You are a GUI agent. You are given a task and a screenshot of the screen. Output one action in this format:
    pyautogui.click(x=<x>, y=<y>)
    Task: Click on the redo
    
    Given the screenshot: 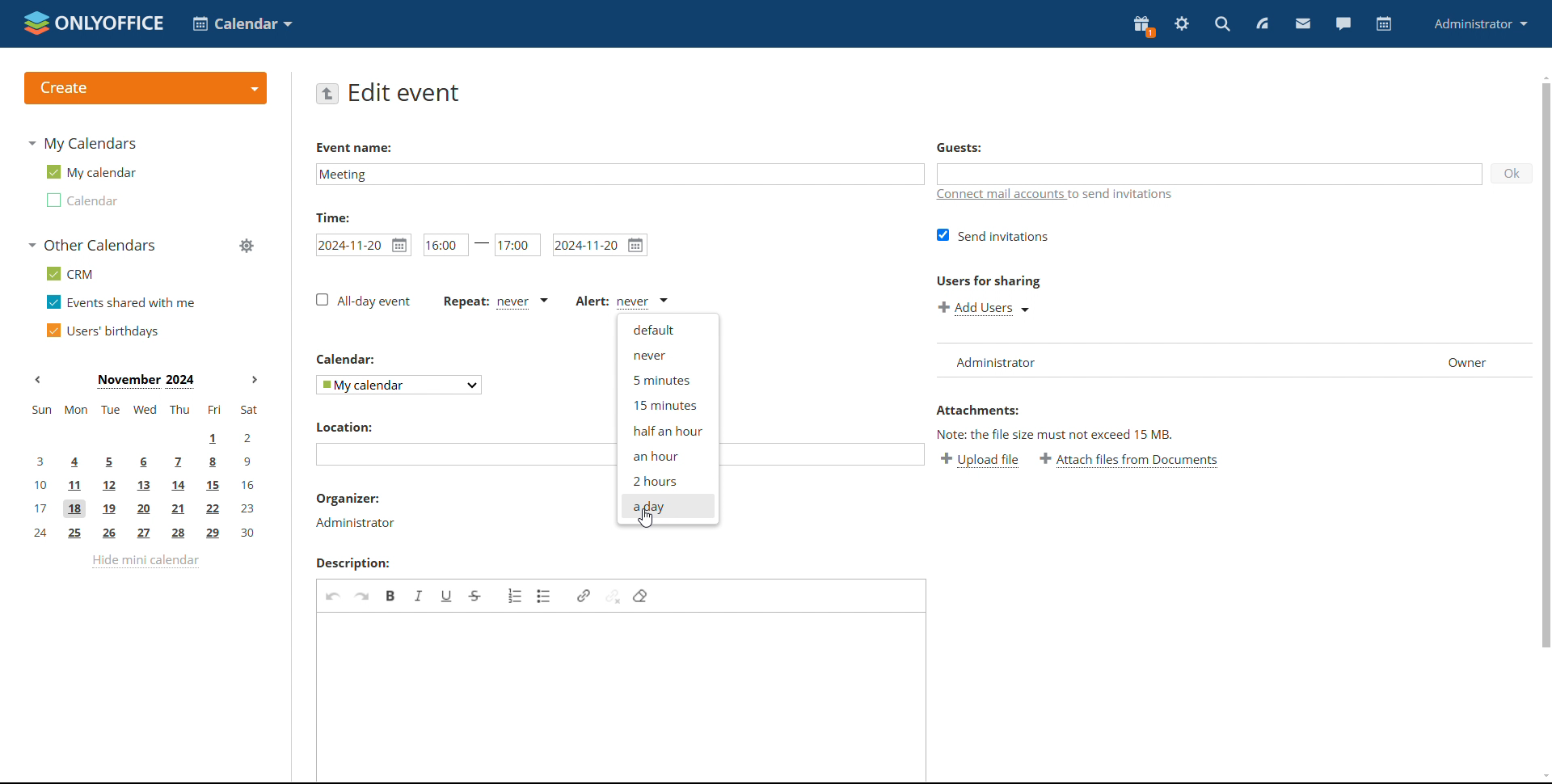 What is the action you would take?
    pyautogui.click(x=361, y=596)
    